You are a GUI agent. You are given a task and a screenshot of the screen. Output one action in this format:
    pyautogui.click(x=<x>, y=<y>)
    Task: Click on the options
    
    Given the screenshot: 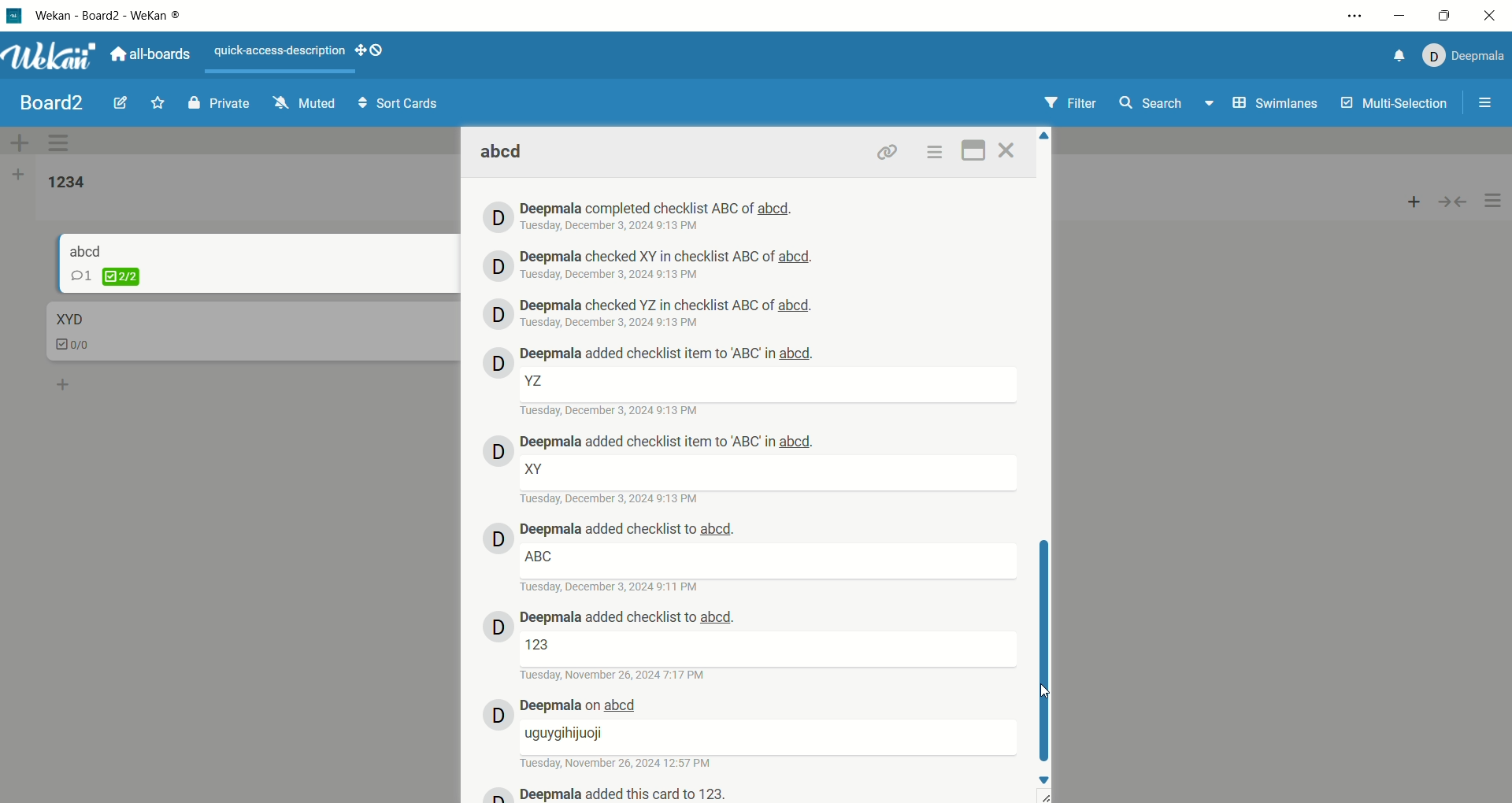 What is the action you would take?
    pyautogui.click(x=1357, y=16)
    